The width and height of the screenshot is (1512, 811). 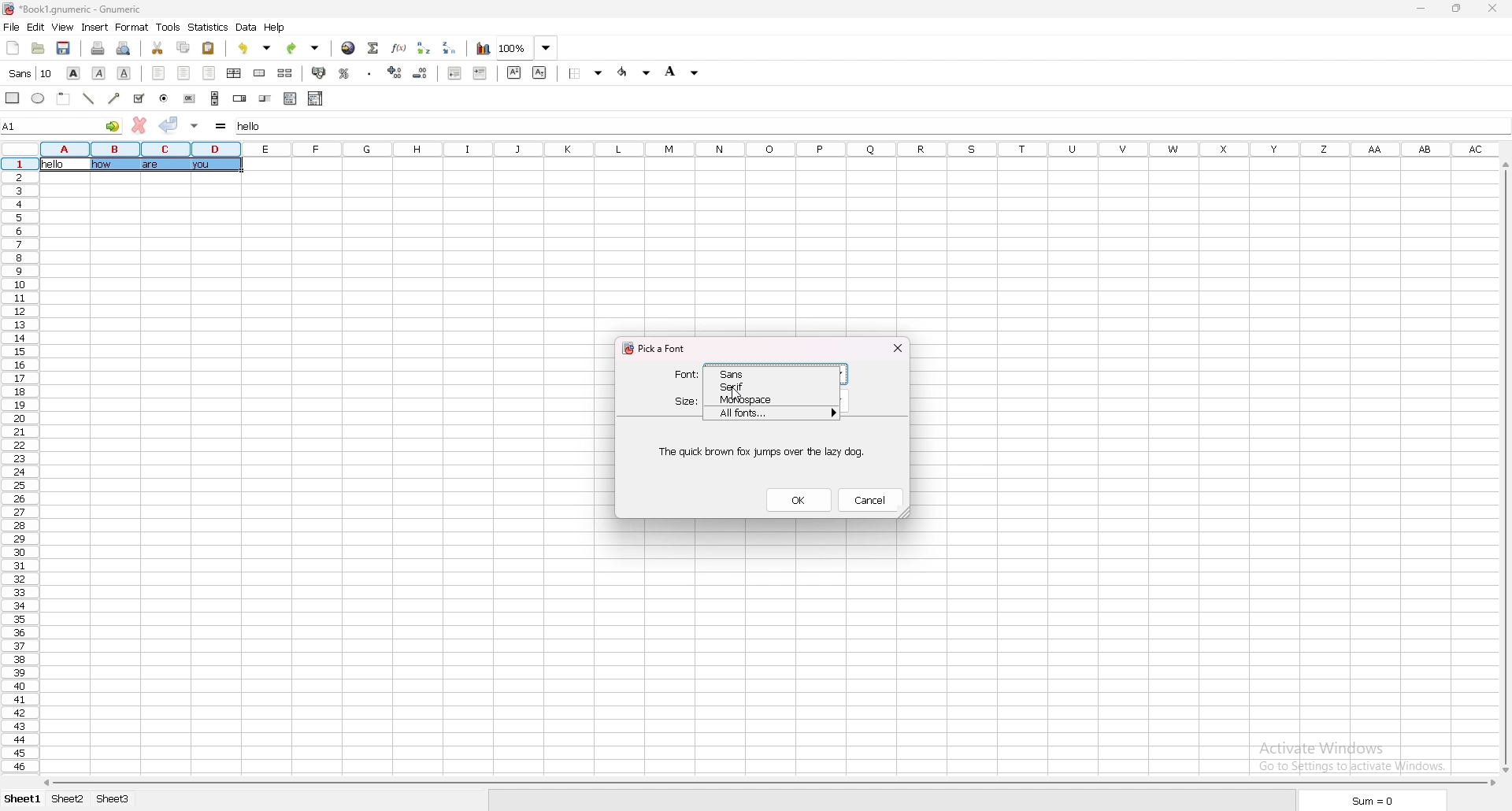 What do you see at coordinates (124, 72) in the screenshot?
I see `underline` at bounding box center [124, 72].